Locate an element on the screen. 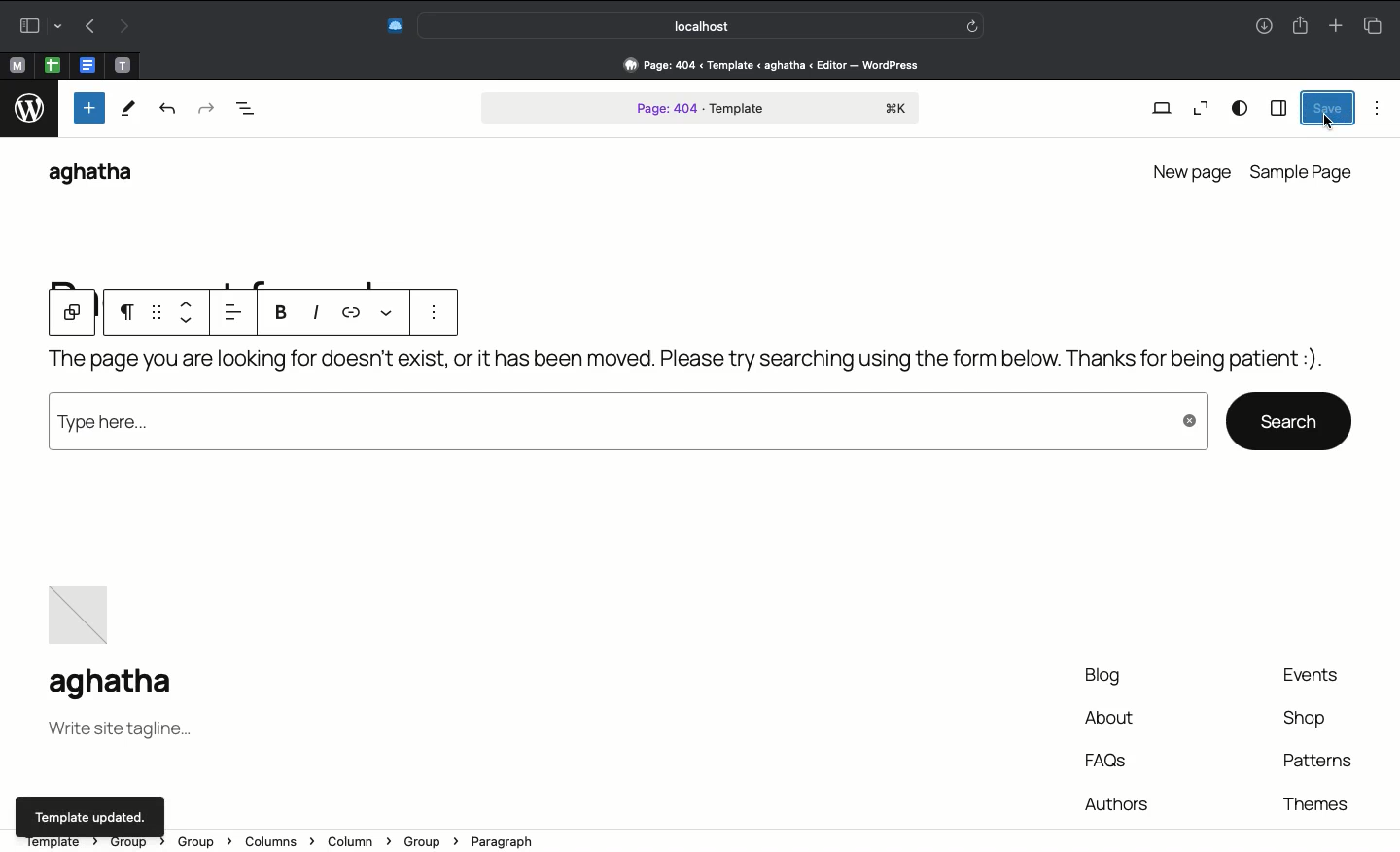 The width and height of the screenshot is (1400, 852). Bold is located at coordinates (281, 316).